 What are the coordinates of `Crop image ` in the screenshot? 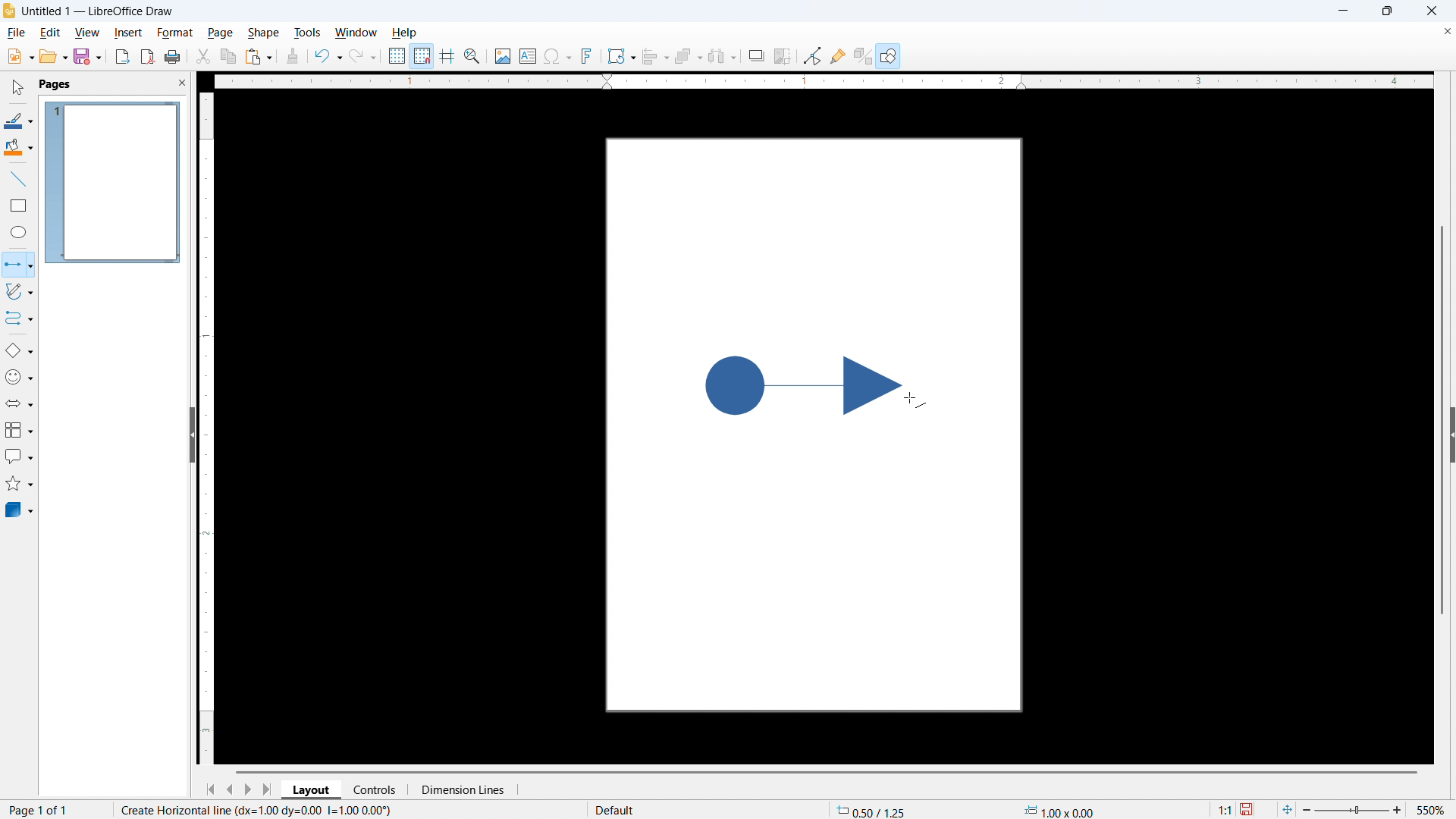 It's located at (783, 55).